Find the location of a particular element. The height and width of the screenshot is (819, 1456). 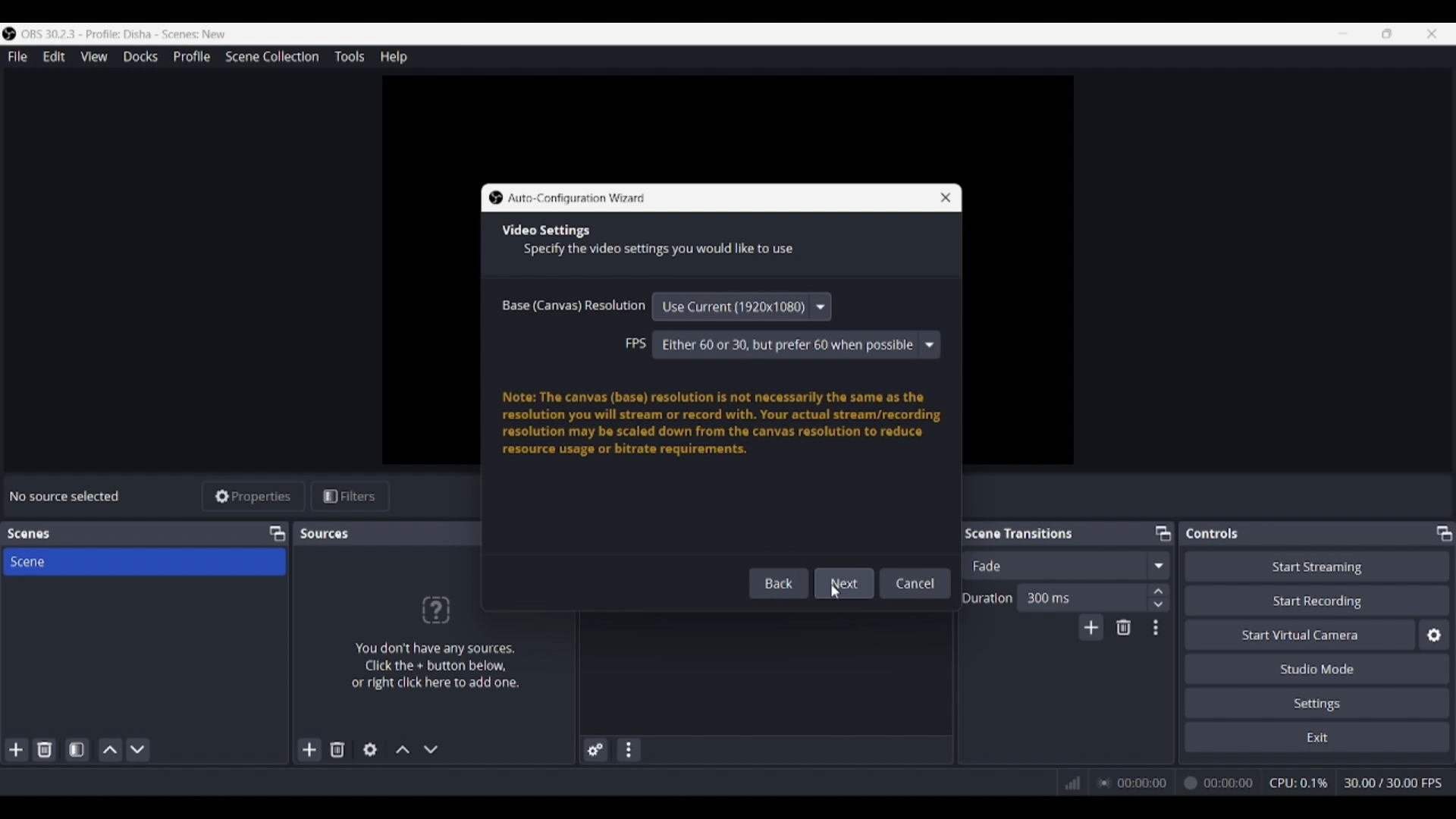

Indicates FPS options is located at coordinates (635, 343).